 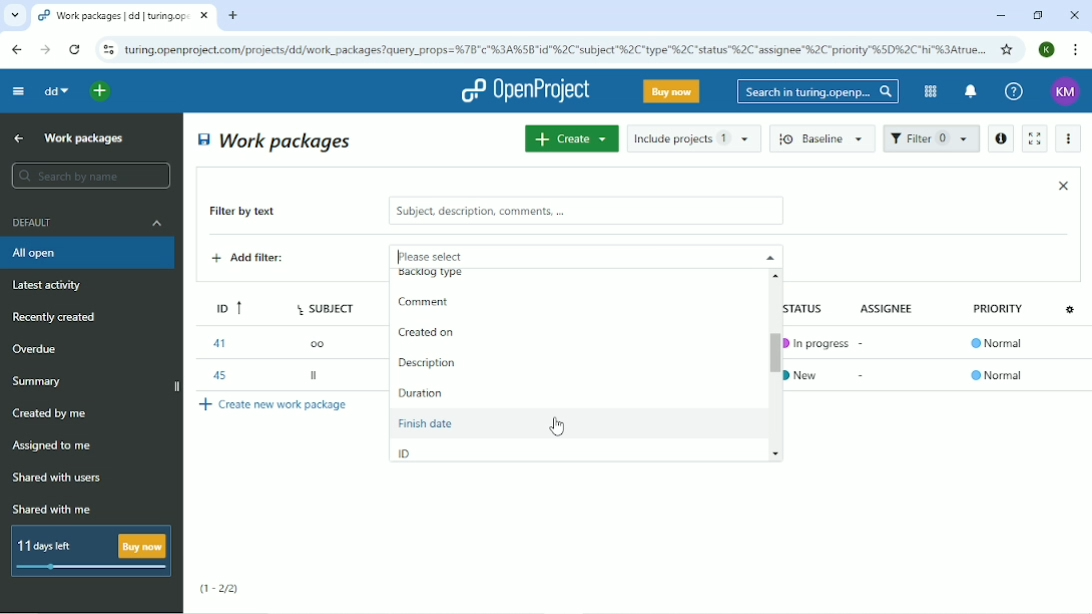 I want to click on Bookmark this tab, so click(x=1007, y=49).